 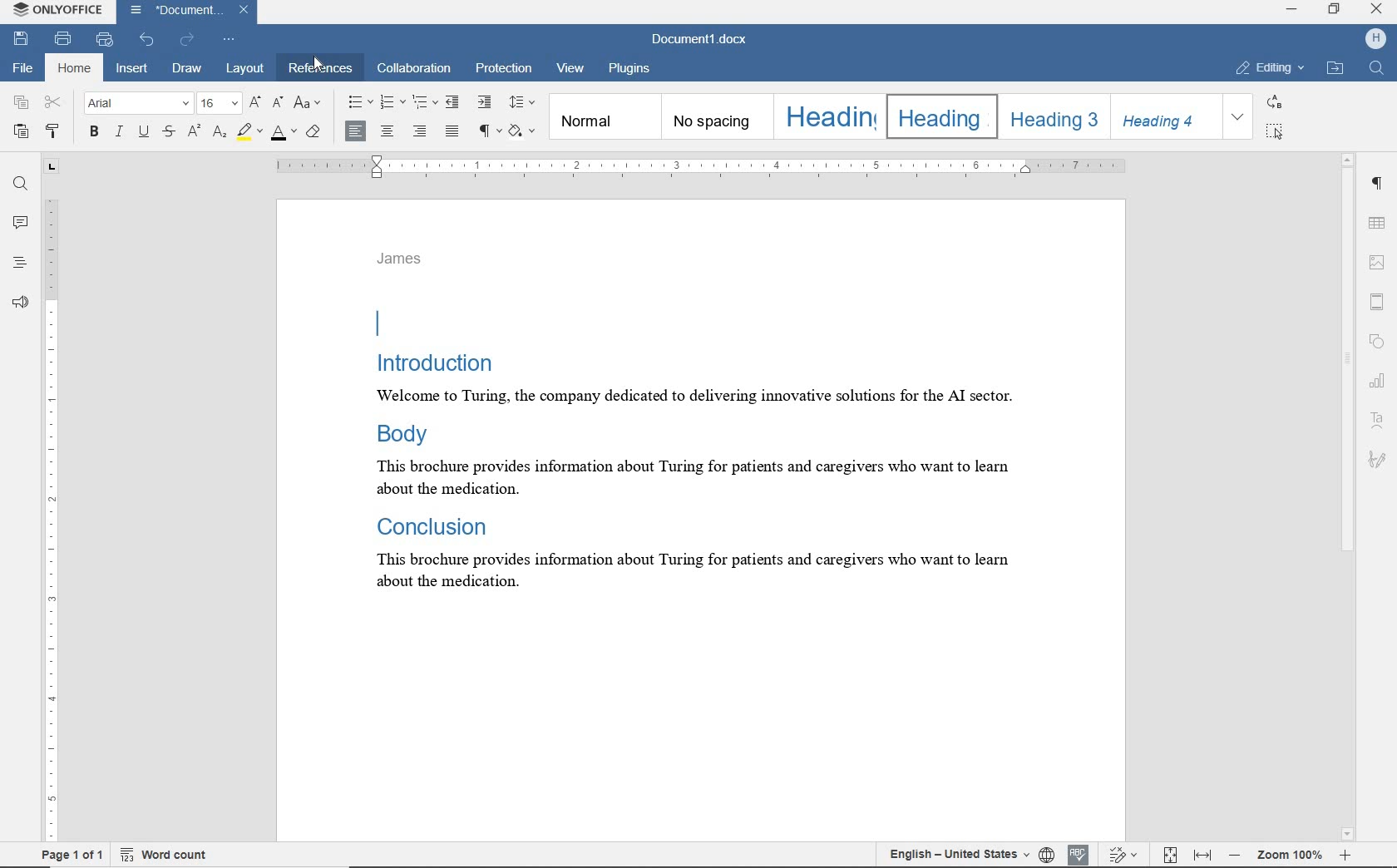 I want to click on restore down, so click(x=1335, y=11).